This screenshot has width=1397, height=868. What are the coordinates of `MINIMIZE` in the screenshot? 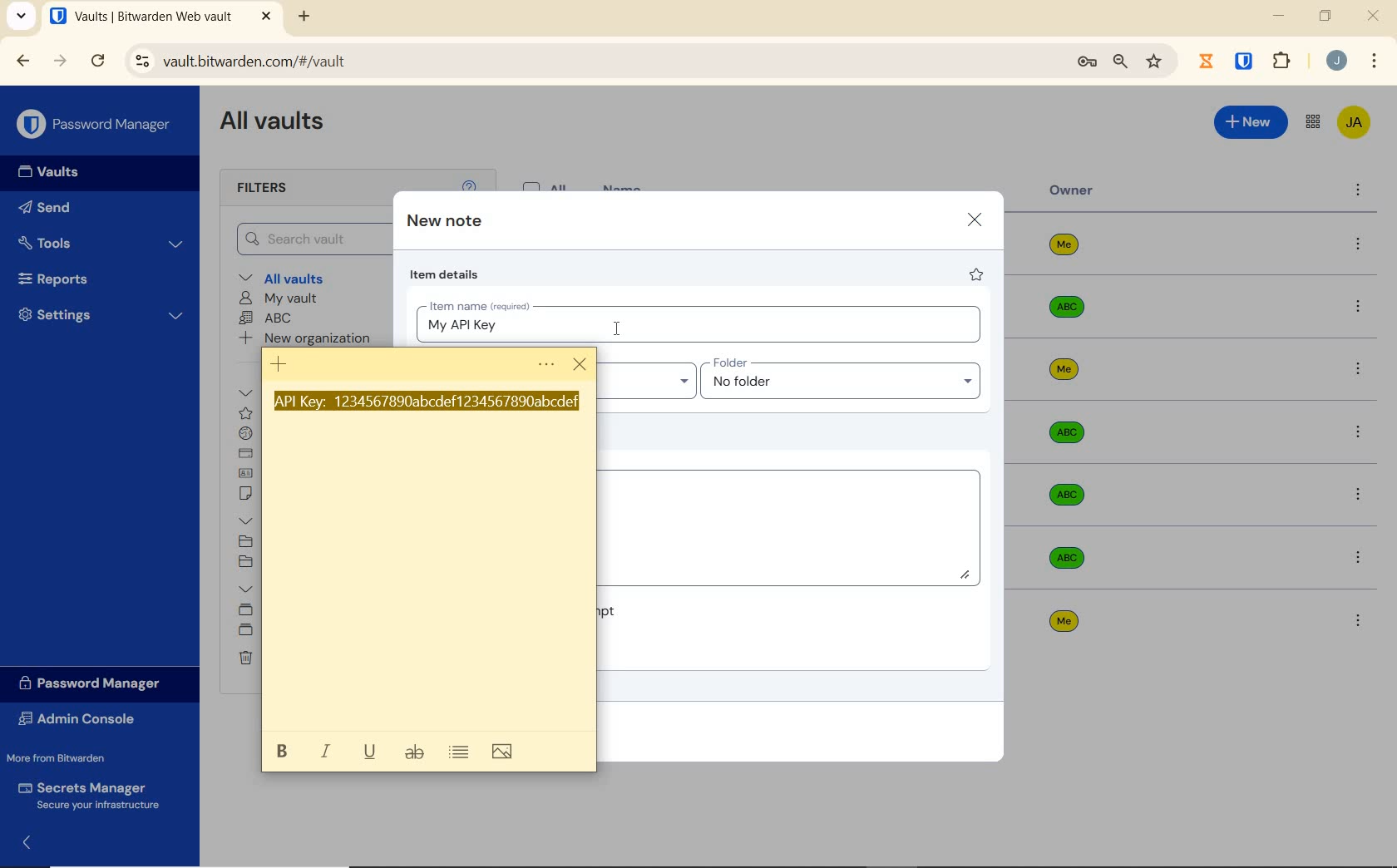 It's located at (1281, 17).